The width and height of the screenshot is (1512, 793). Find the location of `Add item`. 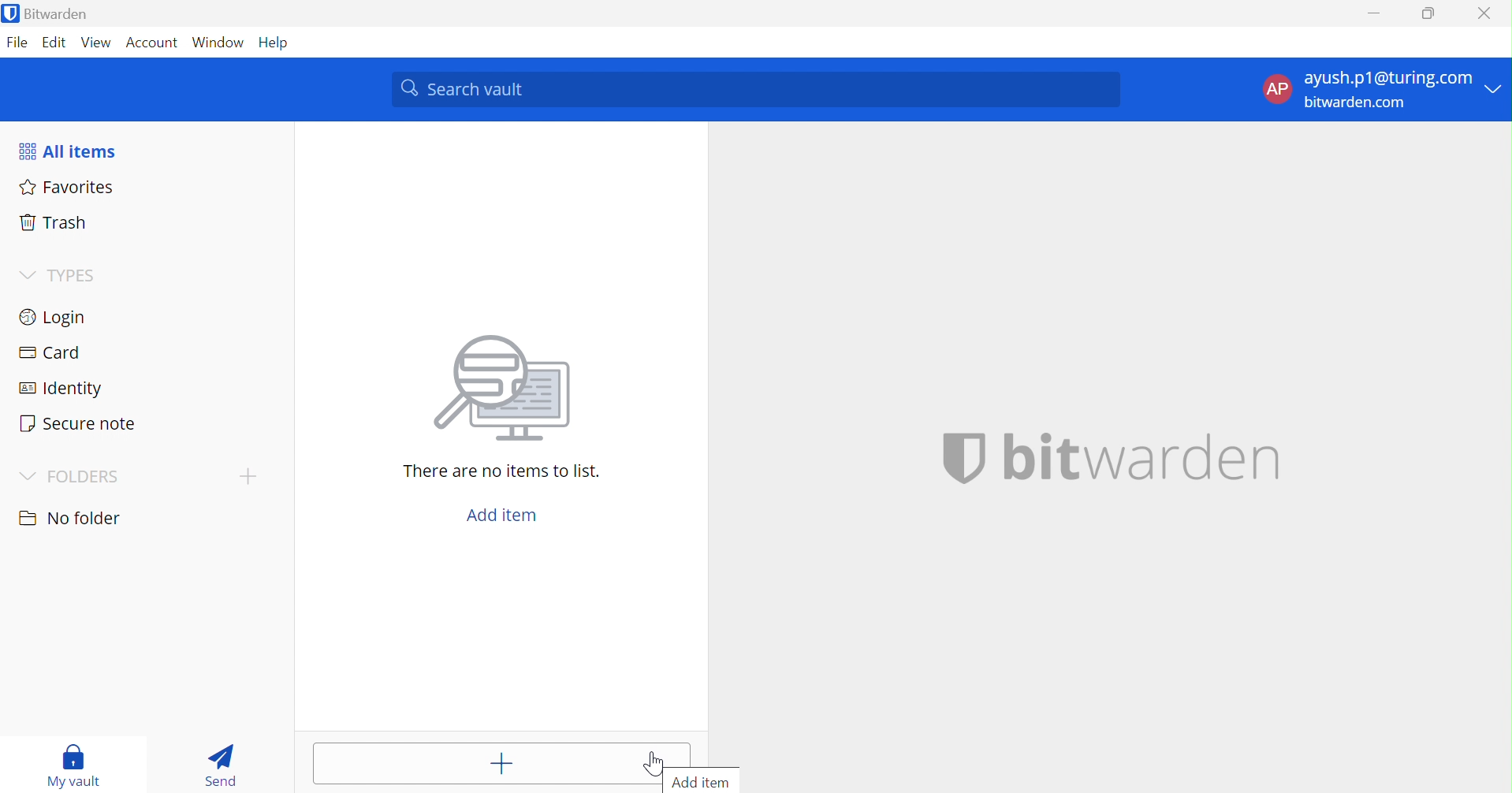

Add item is located at coordinates (702, 782).